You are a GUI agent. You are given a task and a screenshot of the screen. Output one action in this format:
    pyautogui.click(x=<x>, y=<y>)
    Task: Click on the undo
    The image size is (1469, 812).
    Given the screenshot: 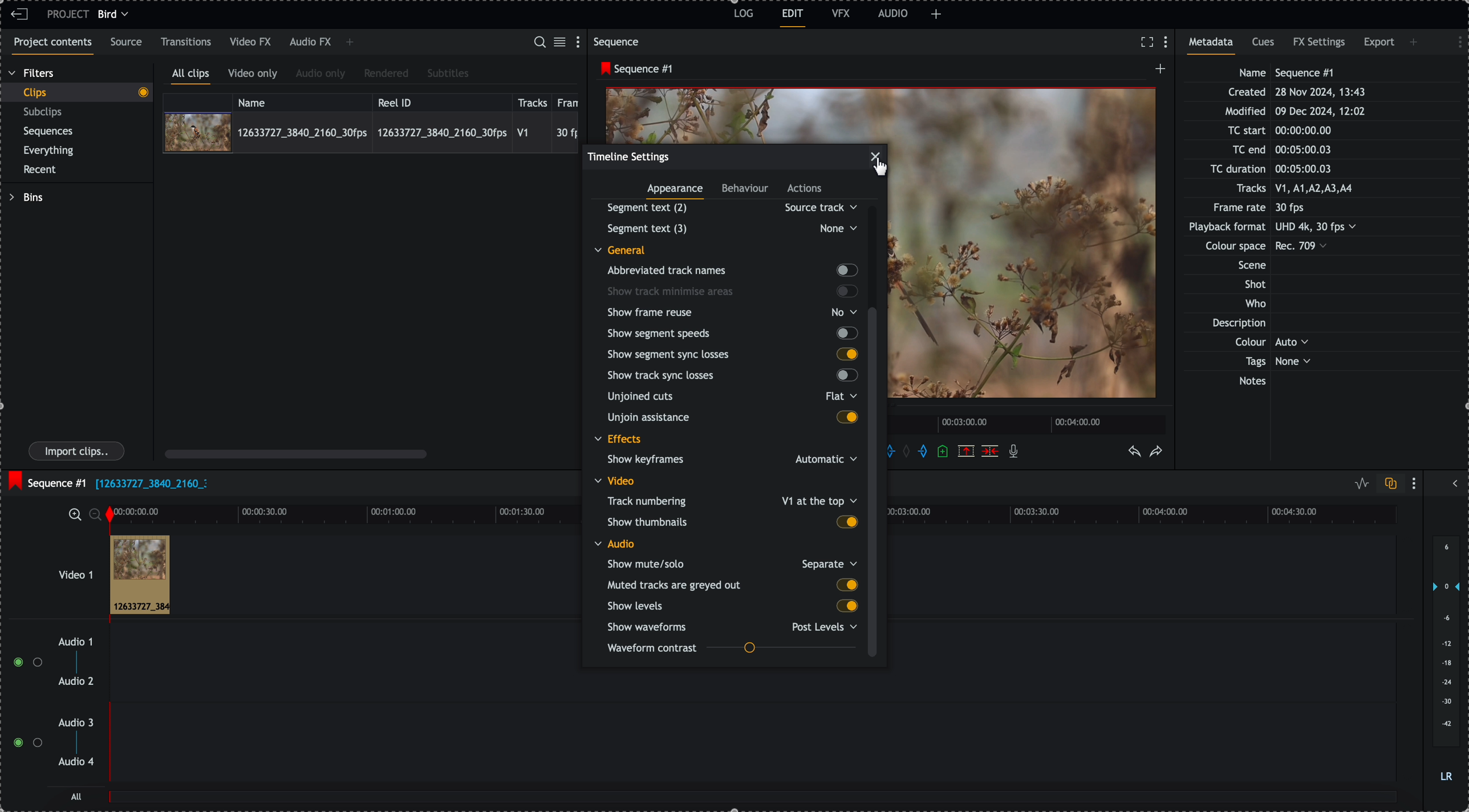 What is the action you would take?
    pyautogui.click(x=1135, y=452)
    